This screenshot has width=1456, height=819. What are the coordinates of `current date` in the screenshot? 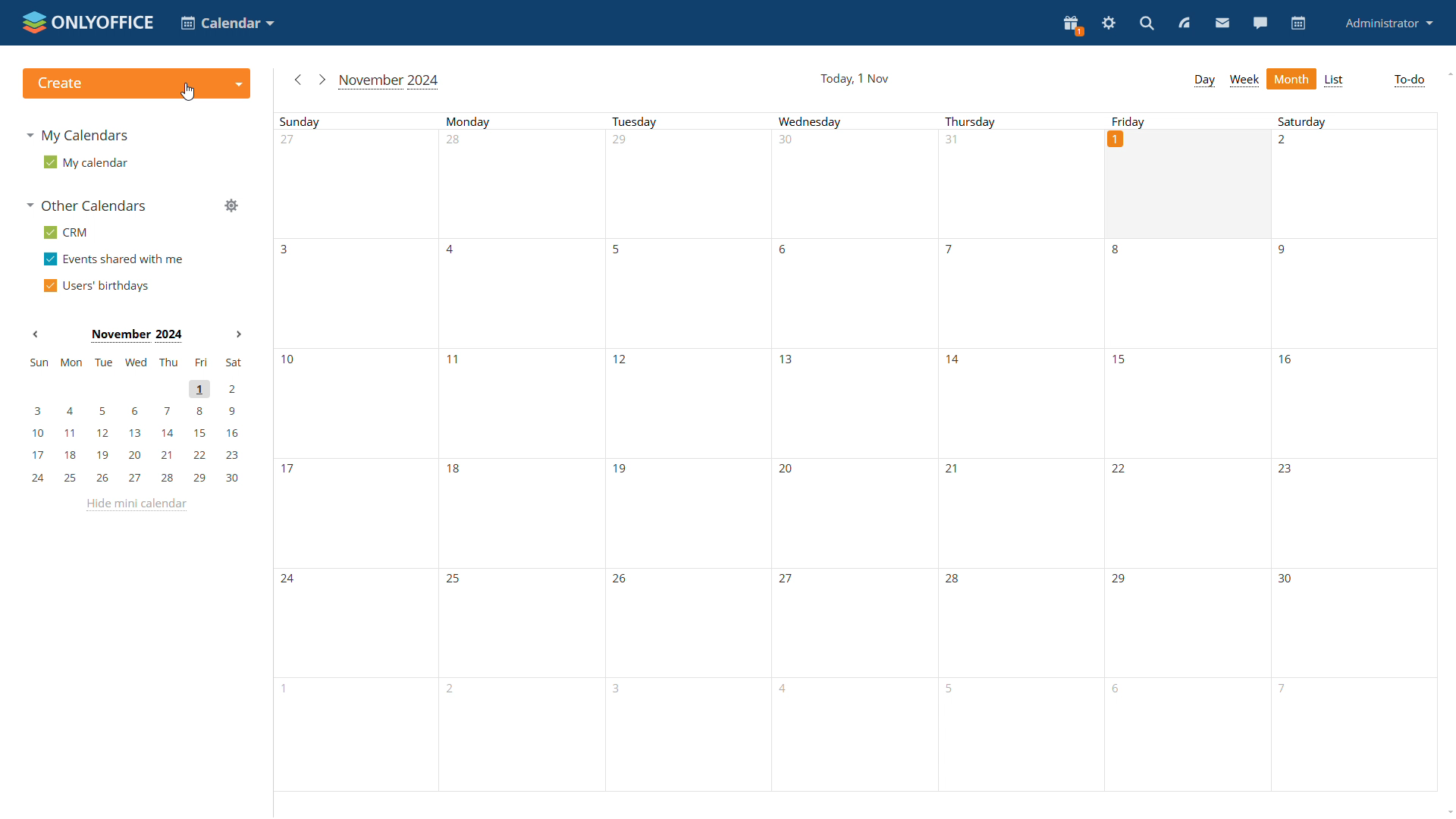 It's located at (855, 78).